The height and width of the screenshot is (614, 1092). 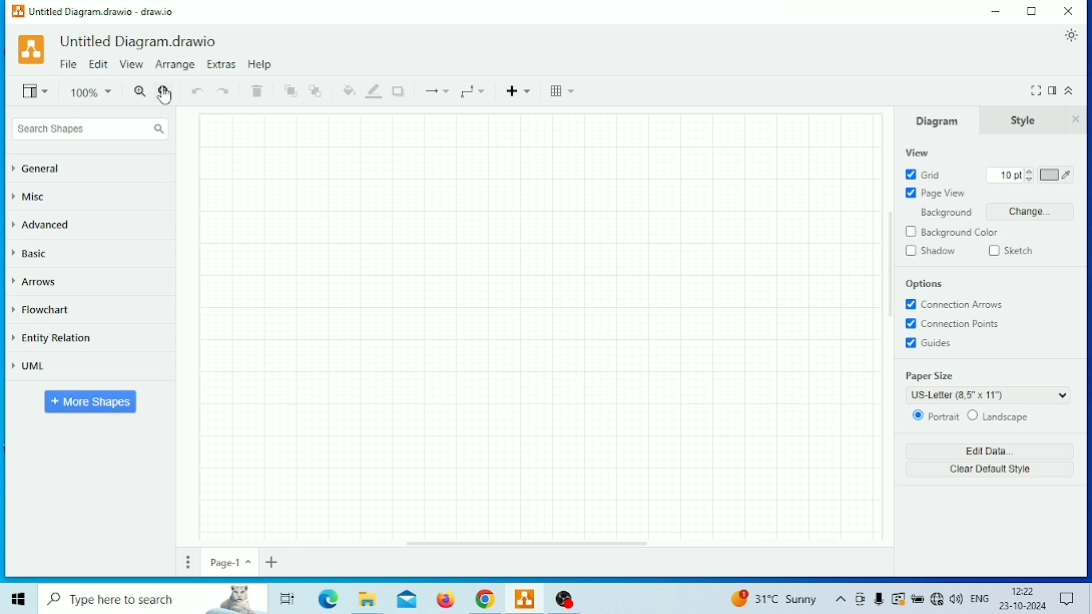 What do you see at coordinates (1012, 251) in the screenshot?
I see `Sketch` at bounding box center [1012, 251].